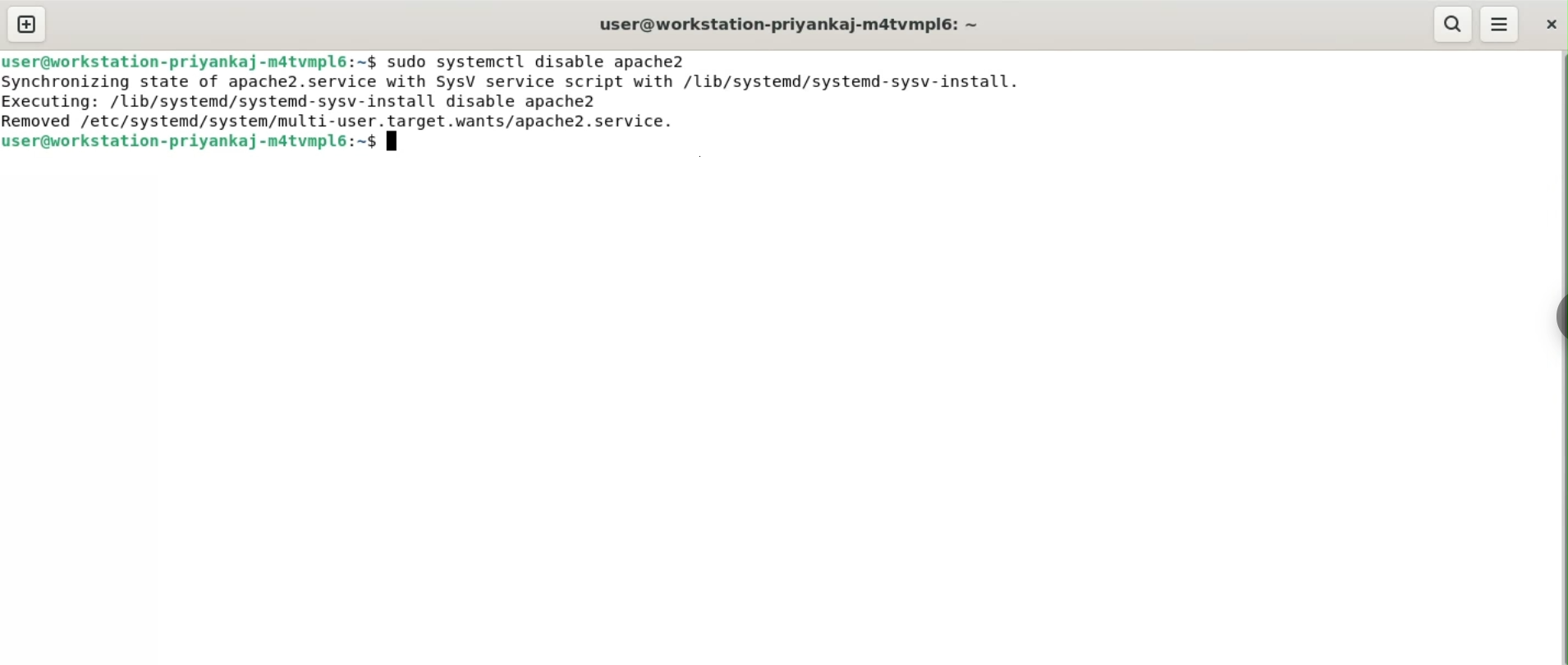 The height and width of the screenshot is (665, 1568). What do you see at coordinates (189, 59) in the screenshot?
I see `user@workstation-priyankaj-m4tvmpl6:~$` at bounding box center [189, 59].